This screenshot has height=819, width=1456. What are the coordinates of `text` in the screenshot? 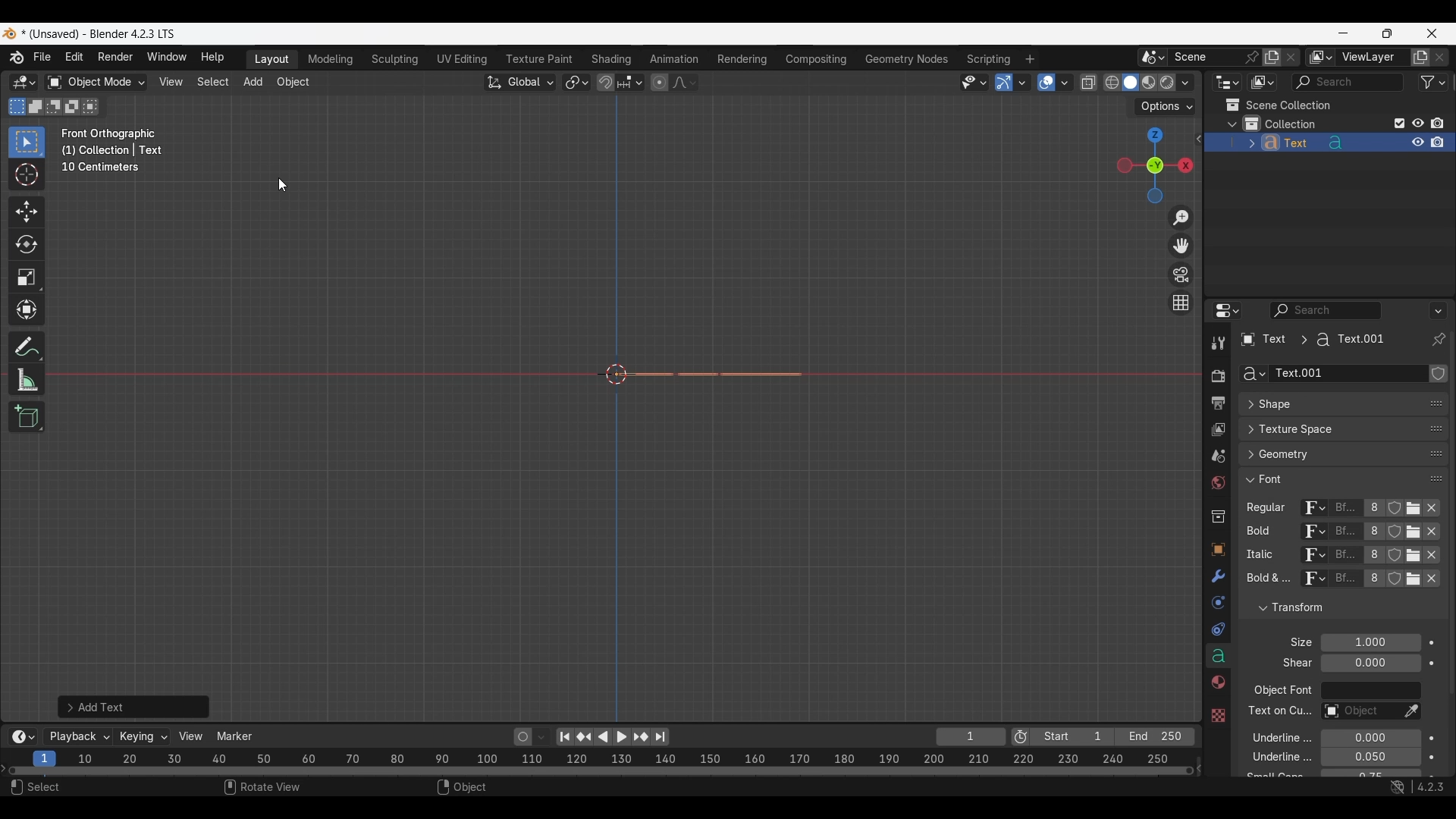 It's located at (1293, 664).